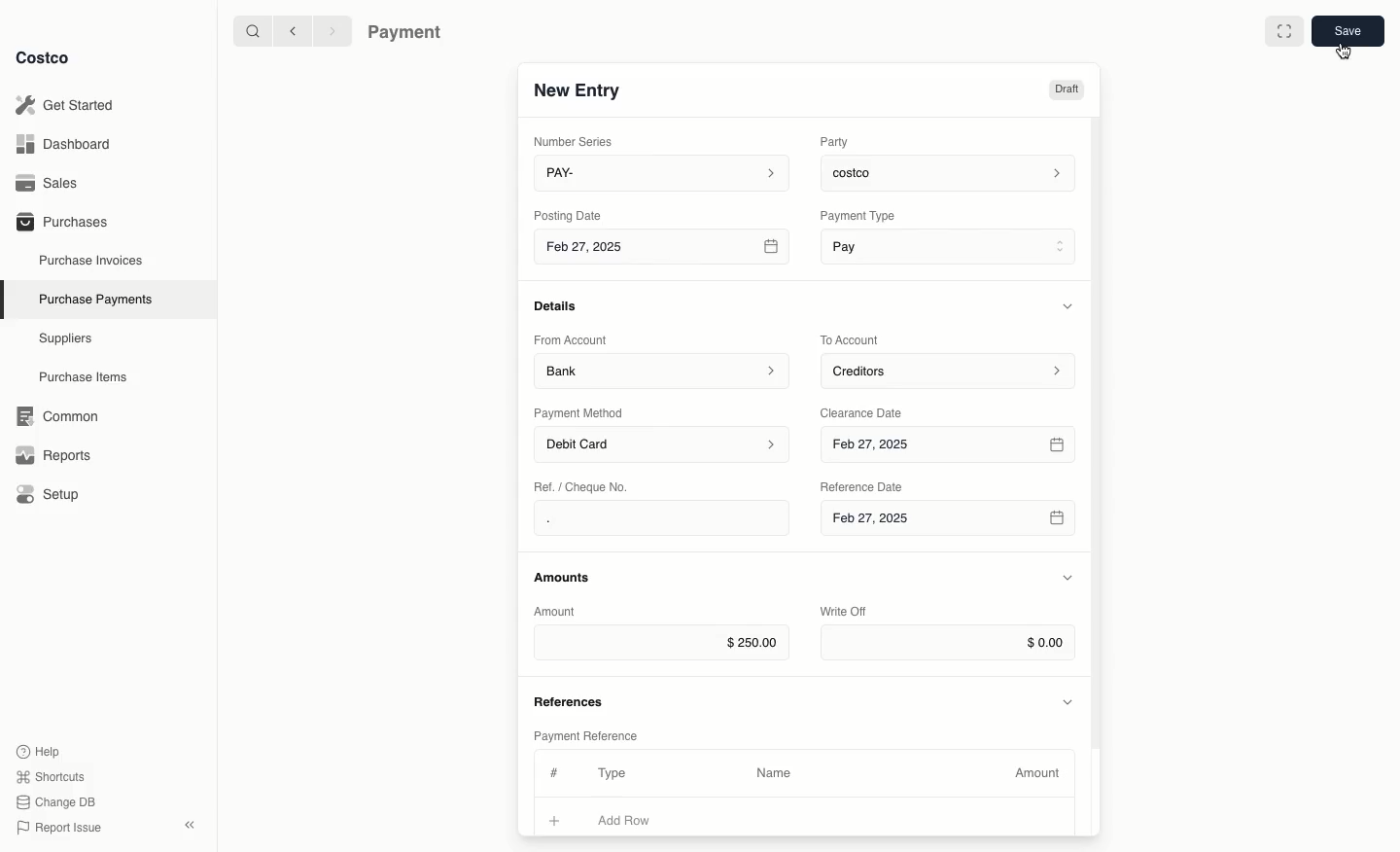 This screenshot has height=852, width=1400. What do you see at coordinates (951, 245) in the screenshot?
I see `Pay` at bounding box center [951, 245].